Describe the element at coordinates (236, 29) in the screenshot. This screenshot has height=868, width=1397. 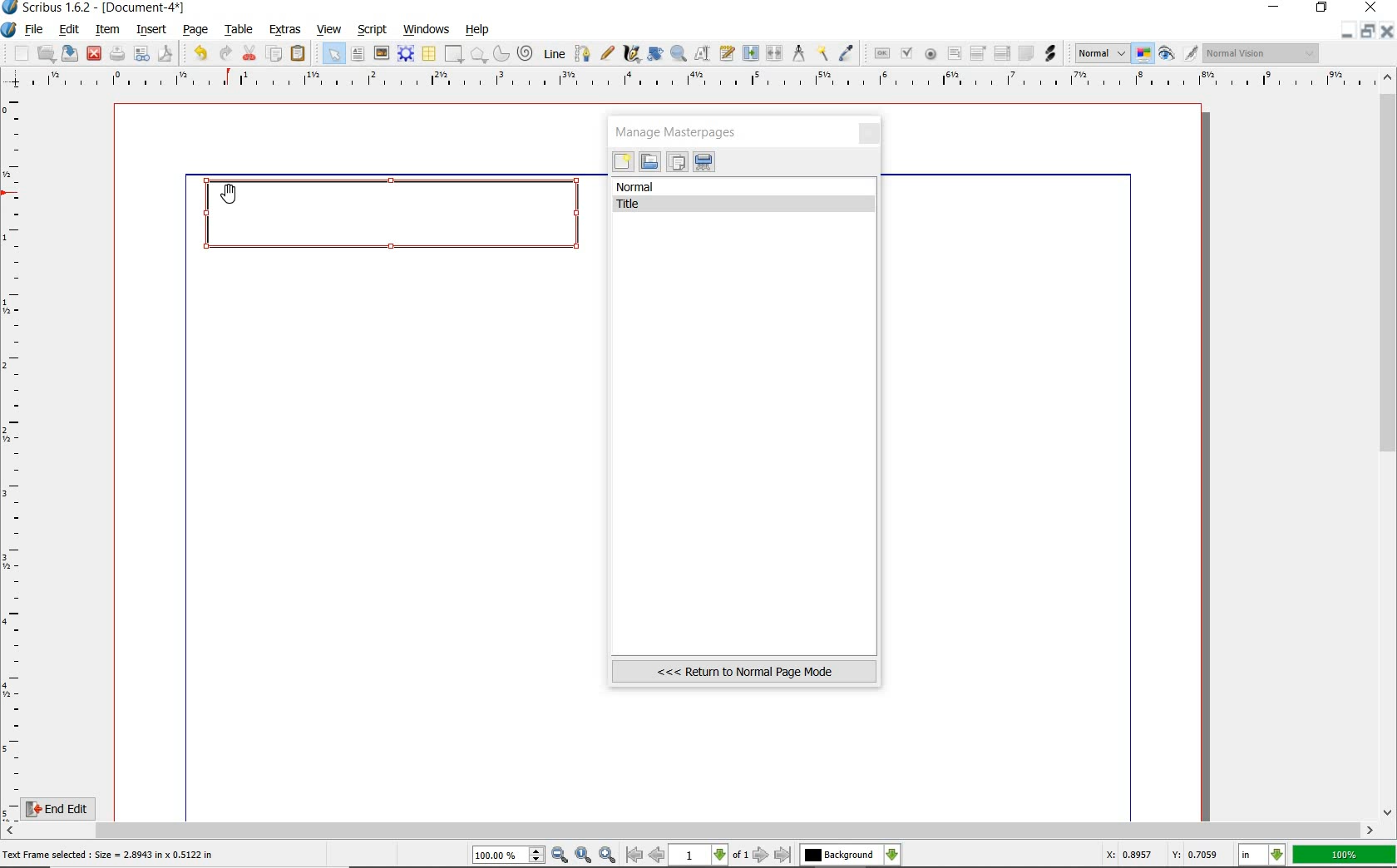
I see `table` at that location.